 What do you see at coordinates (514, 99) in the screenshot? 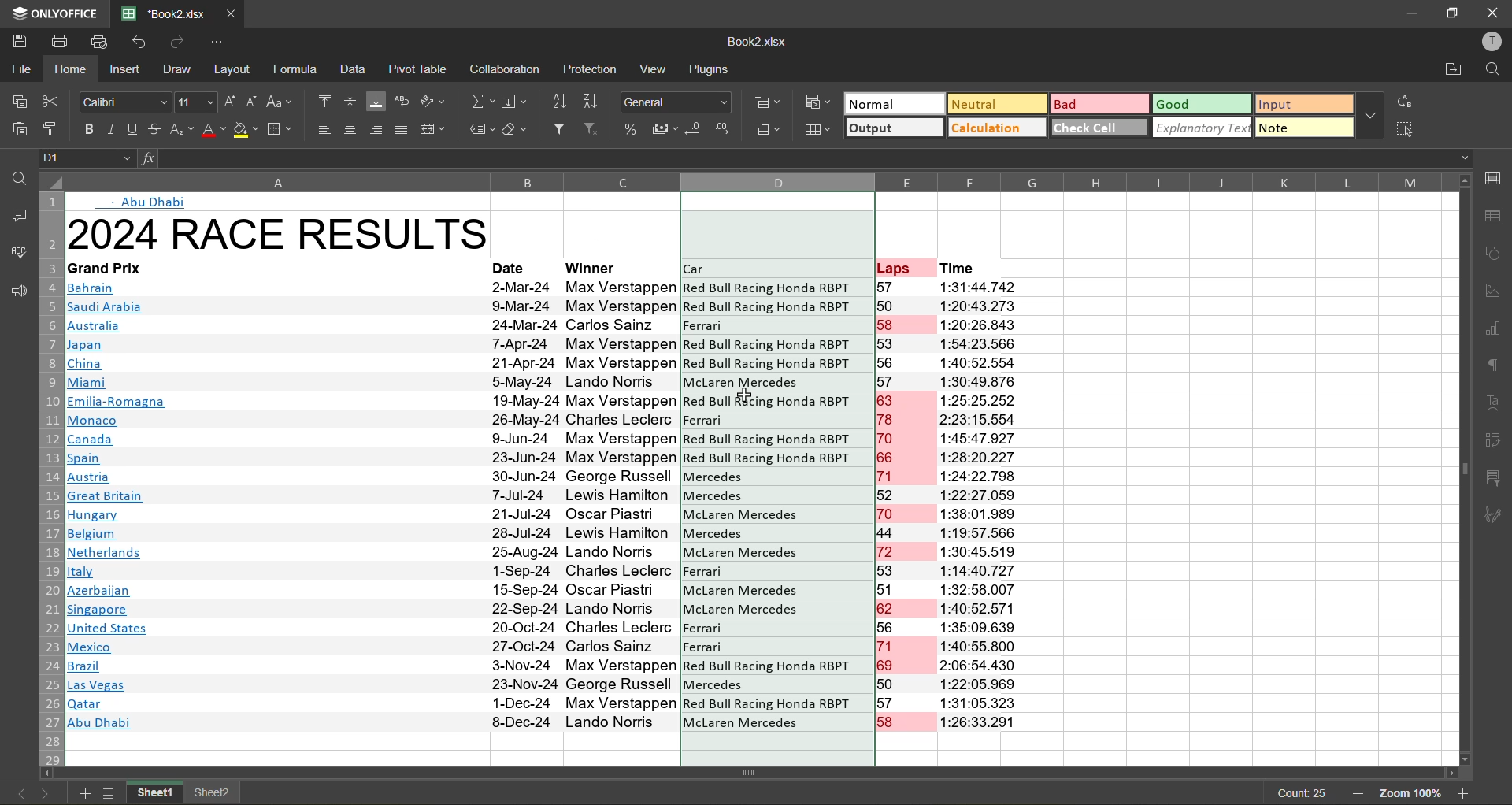
I see `fields` at bounding box center [514, 99].